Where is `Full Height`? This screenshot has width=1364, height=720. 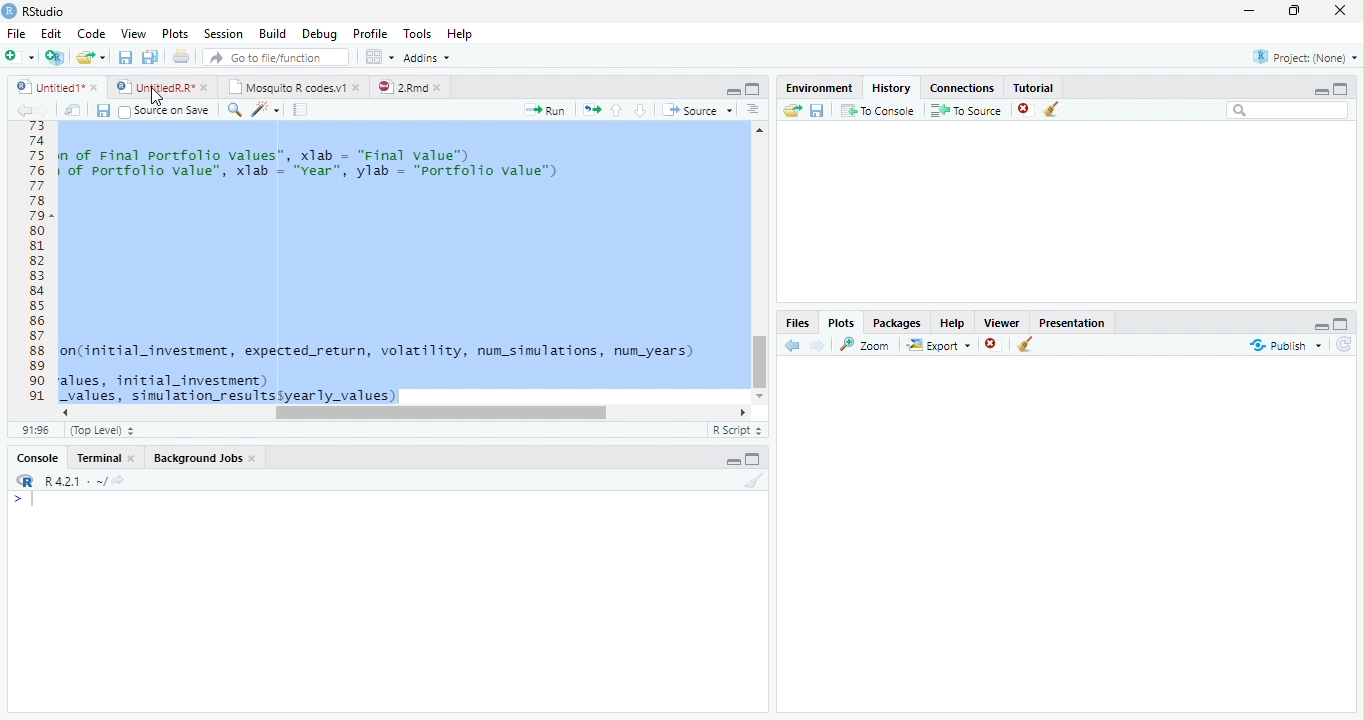 Full Height is located at coordinates (1343, 322).